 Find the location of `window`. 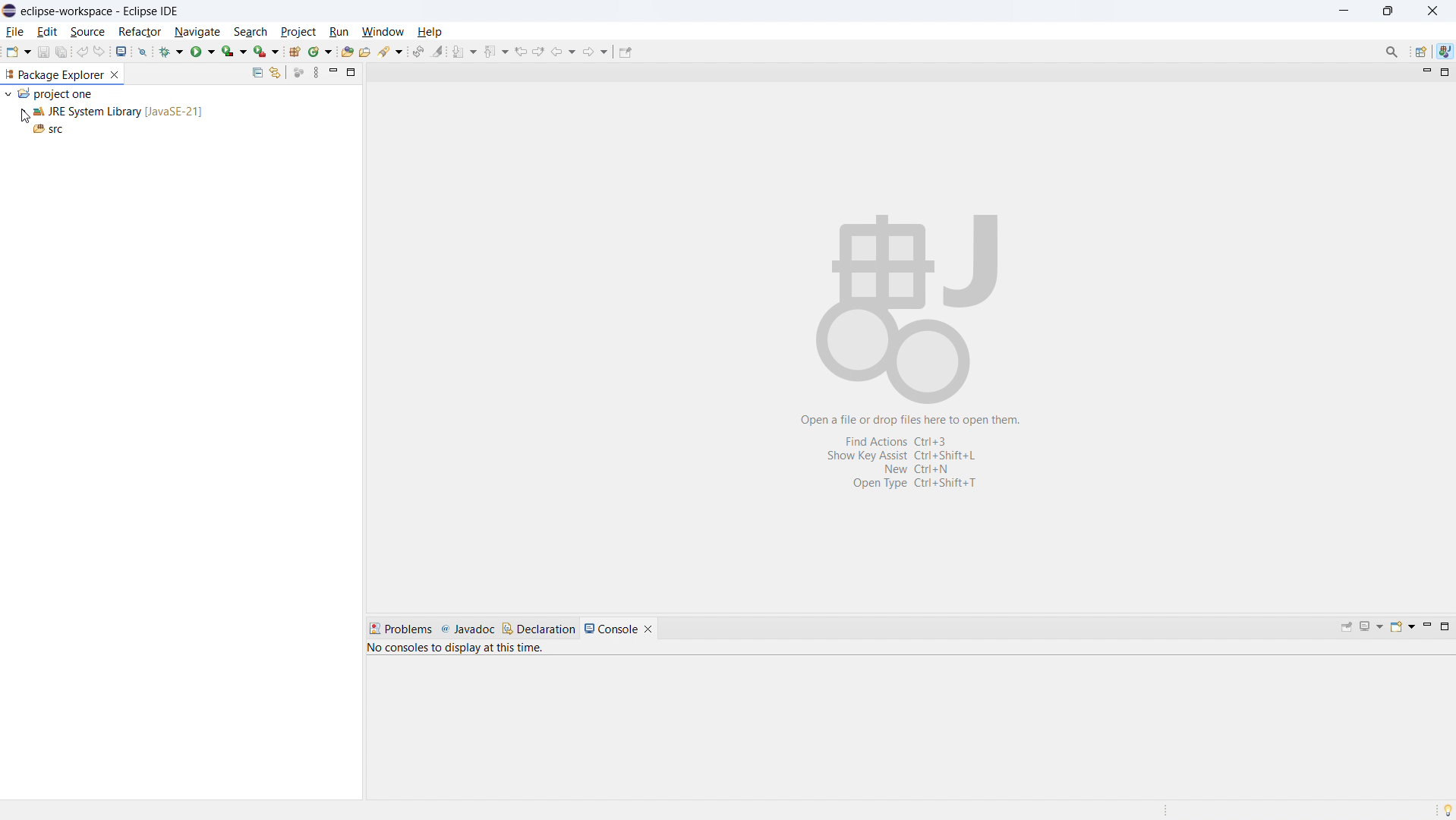

window is located at coordinates (380, 31).